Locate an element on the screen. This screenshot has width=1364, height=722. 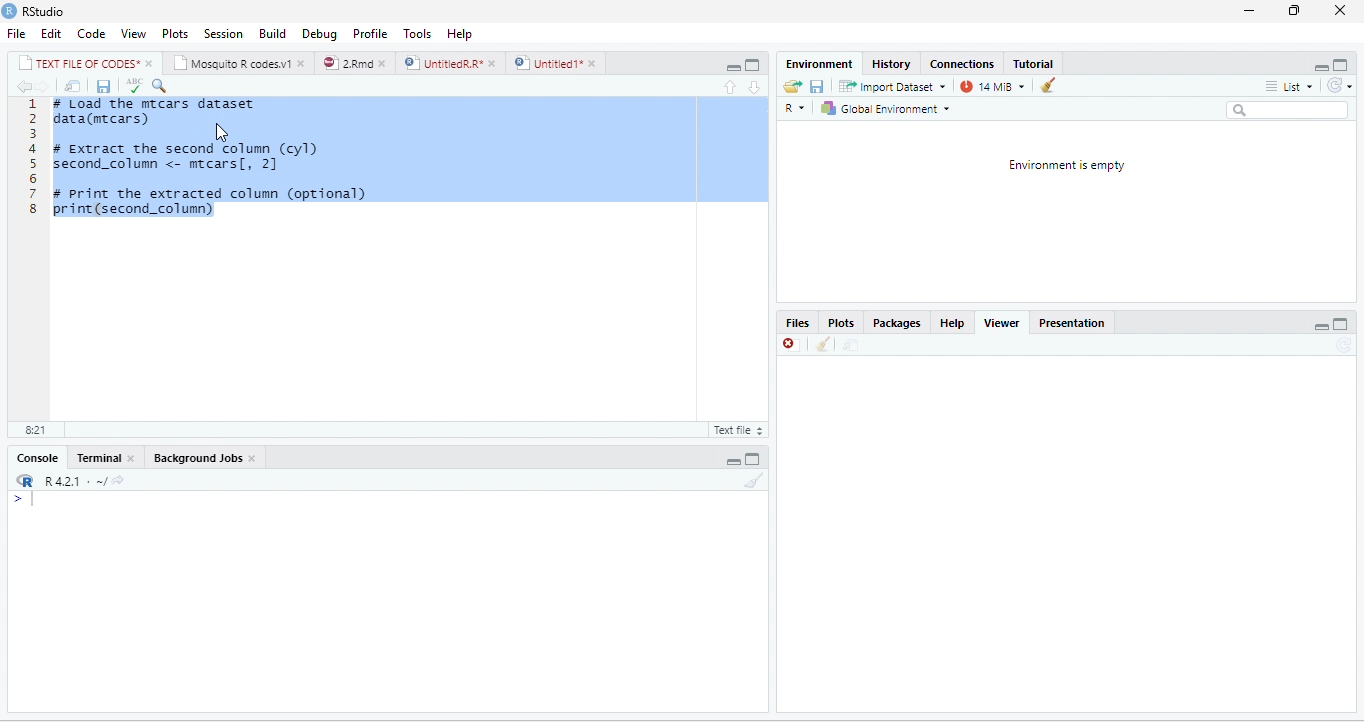
Viewer is located at coordinates (1007, 323).